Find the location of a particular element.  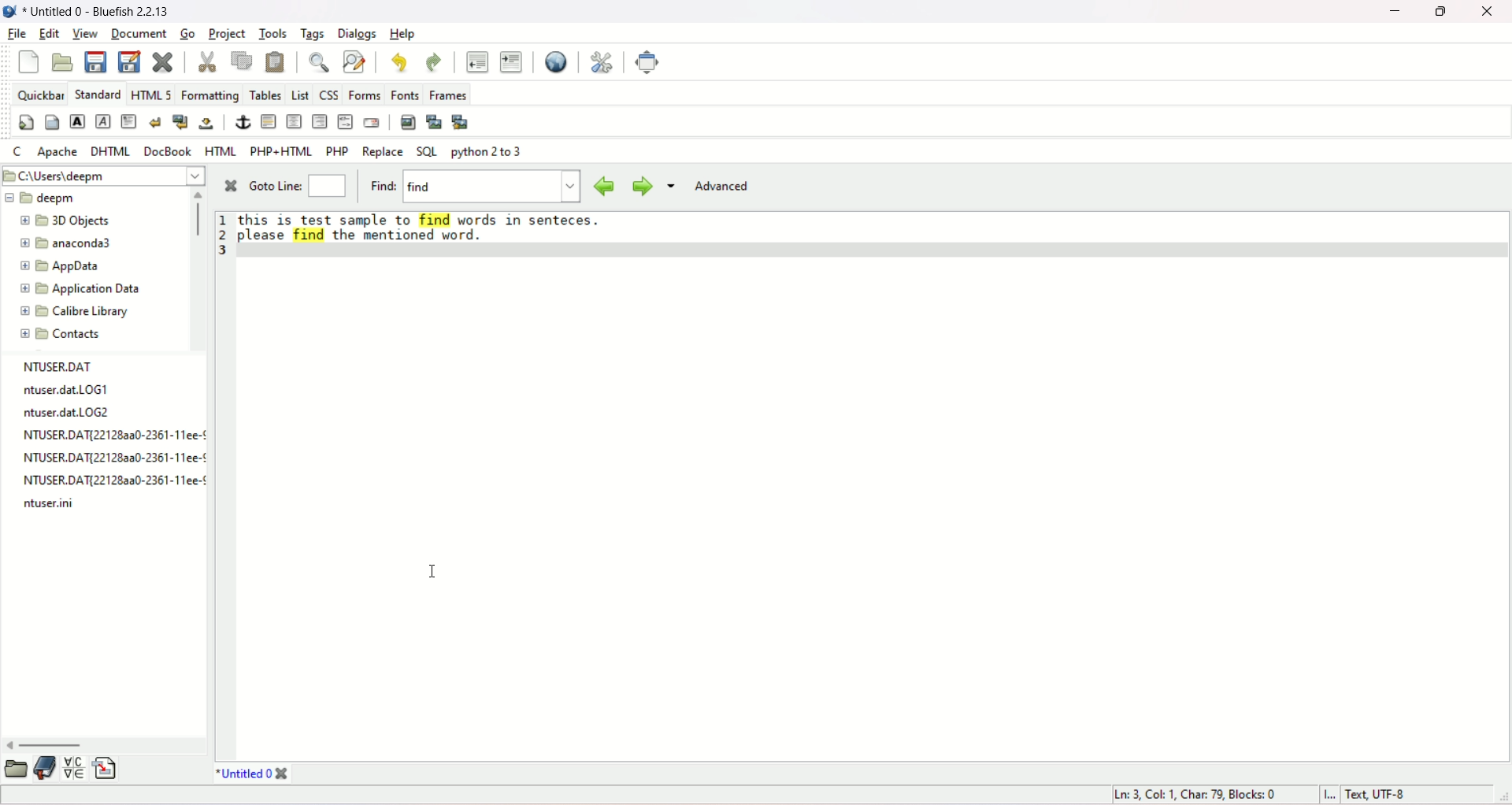

redo is located at coordinates (435, 61).